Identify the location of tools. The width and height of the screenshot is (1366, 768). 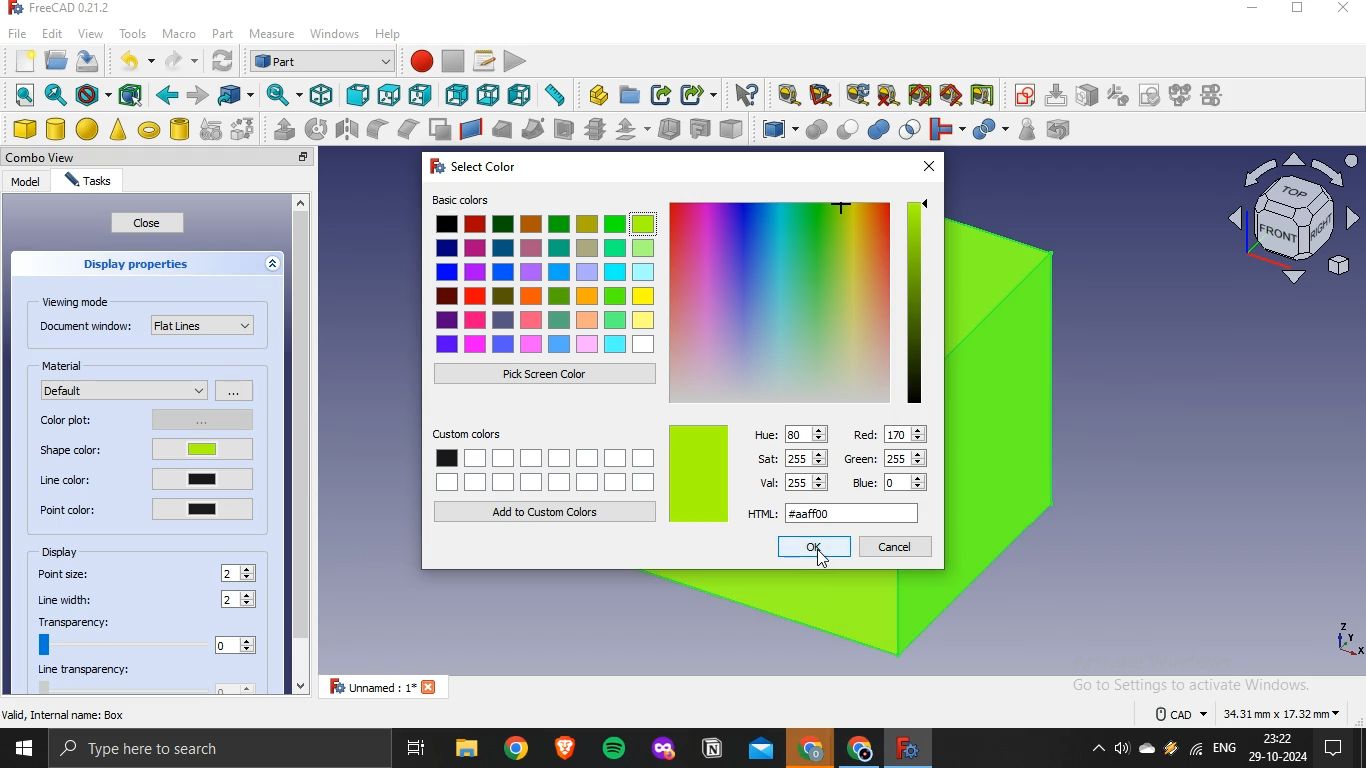
(133, 32).